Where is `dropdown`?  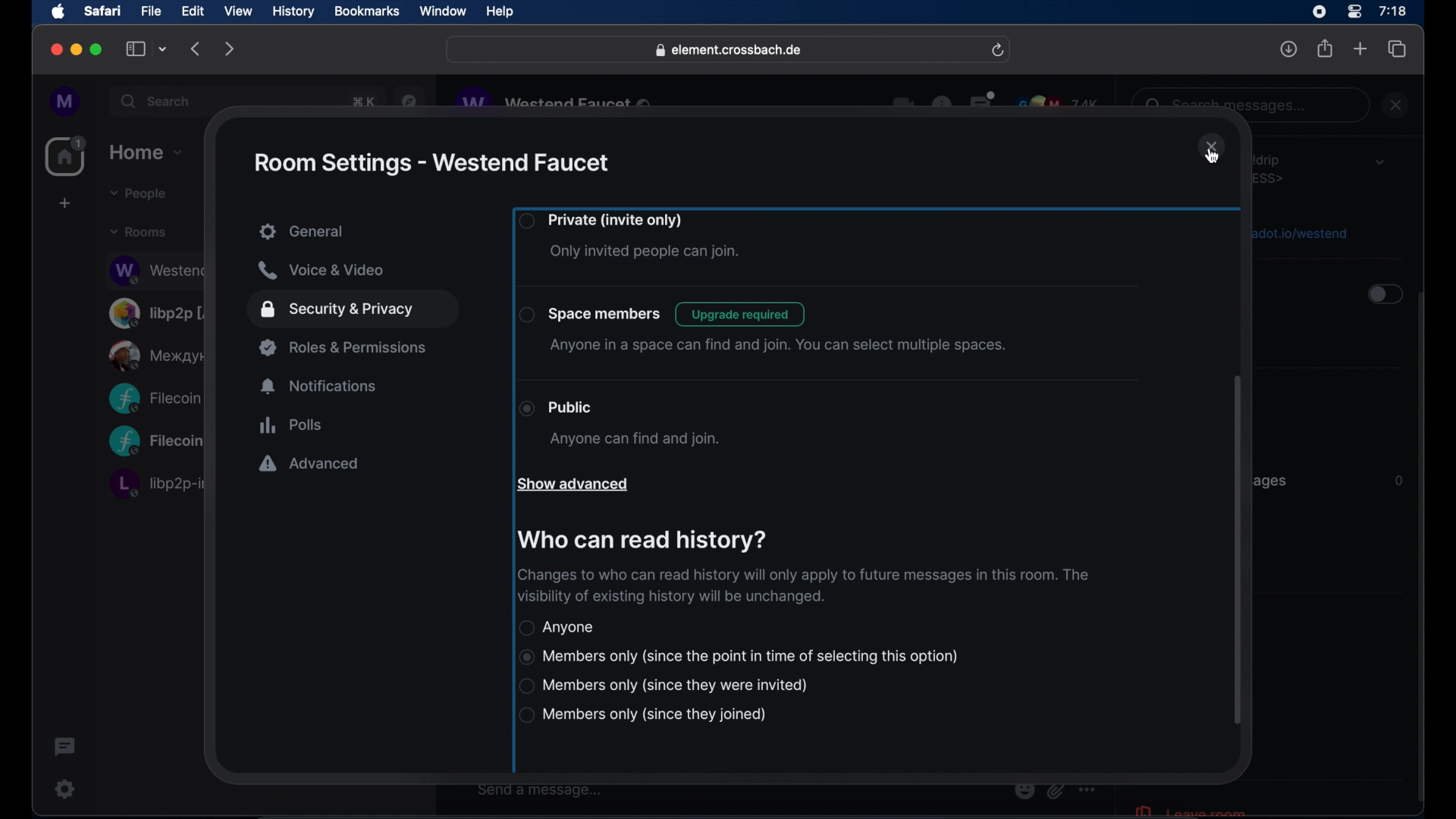
dropdown is located at coordinates (1379, 162).